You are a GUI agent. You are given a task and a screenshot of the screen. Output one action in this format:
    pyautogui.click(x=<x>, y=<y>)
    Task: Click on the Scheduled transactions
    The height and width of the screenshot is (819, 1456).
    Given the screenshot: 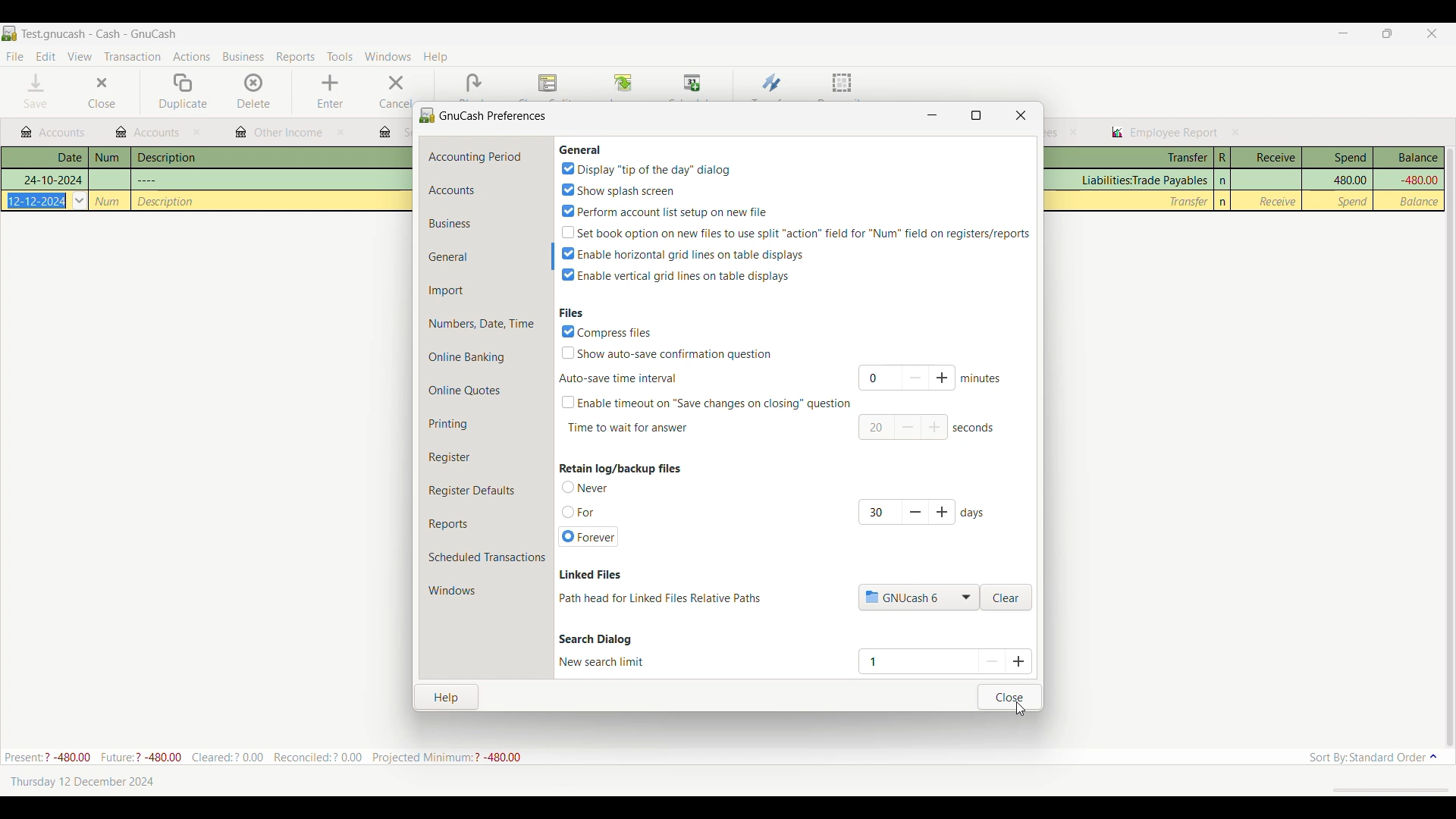 What is the action you would take?
    pyautogui.click(x=485, y=557)
    